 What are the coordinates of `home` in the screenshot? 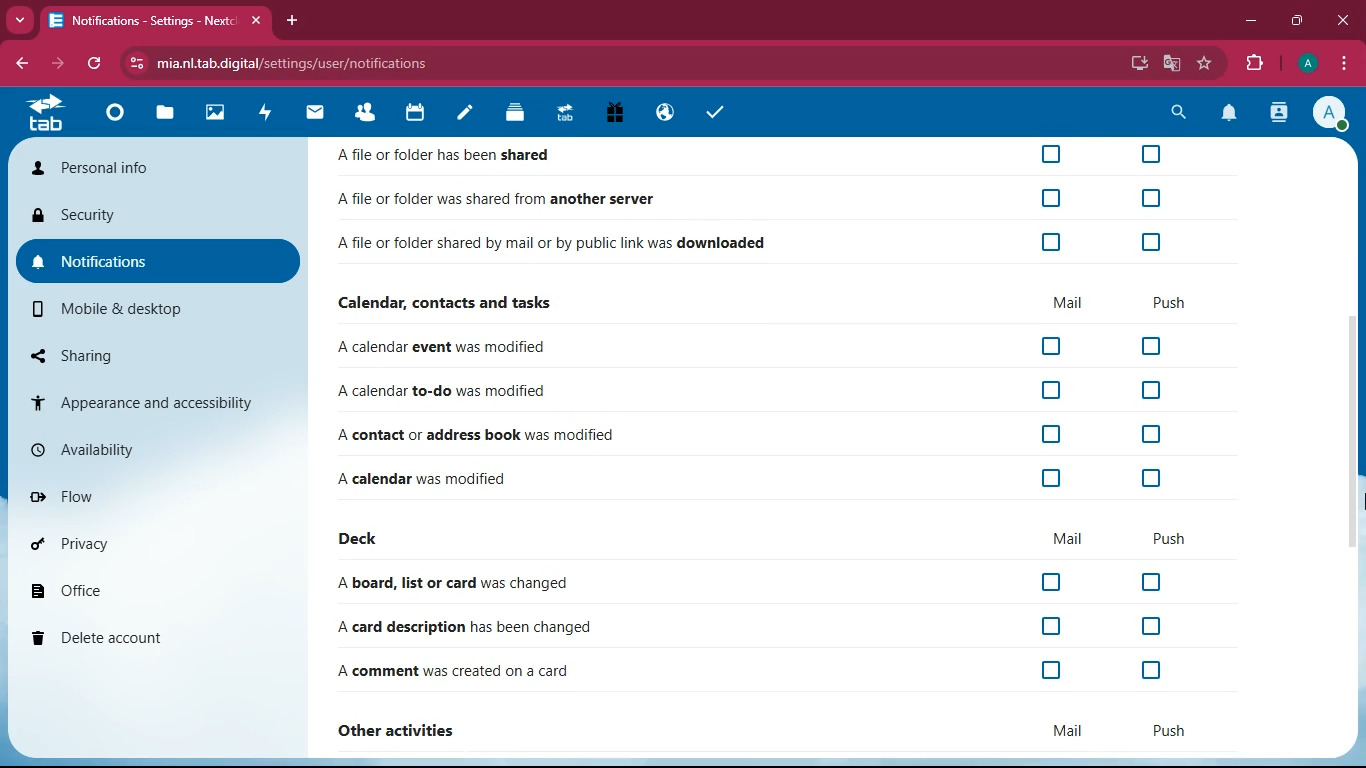 It's located at (44, 112).